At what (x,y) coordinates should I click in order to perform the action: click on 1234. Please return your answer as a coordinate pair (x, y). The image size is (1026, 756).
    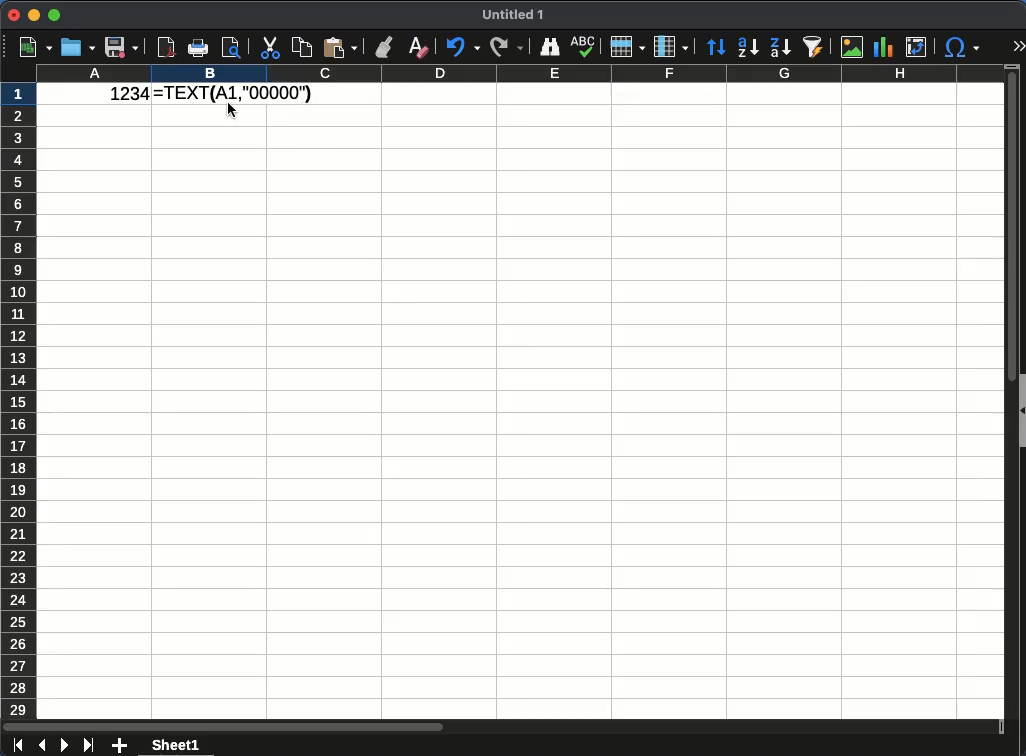
    Looking at the image, I should click on (124, 95).